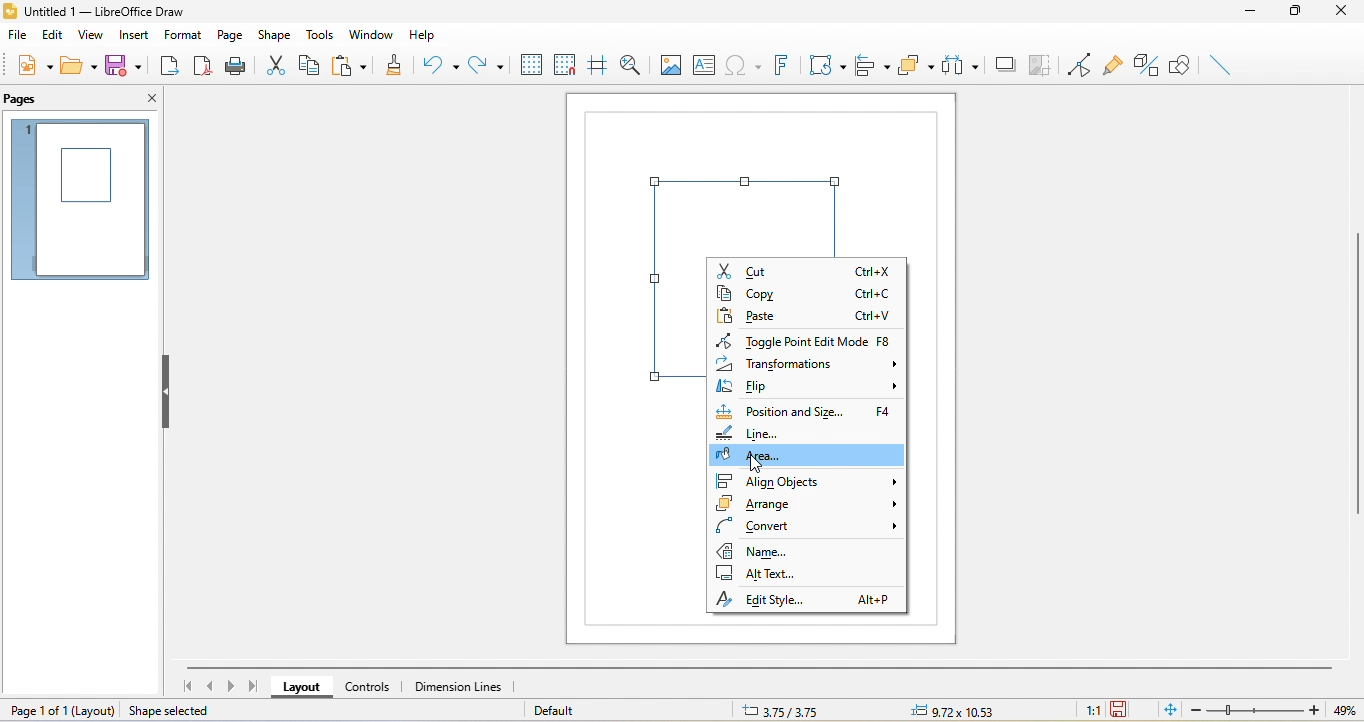 This screenshot has height=722, width=1364. I want to click on file, so click(17, 39).